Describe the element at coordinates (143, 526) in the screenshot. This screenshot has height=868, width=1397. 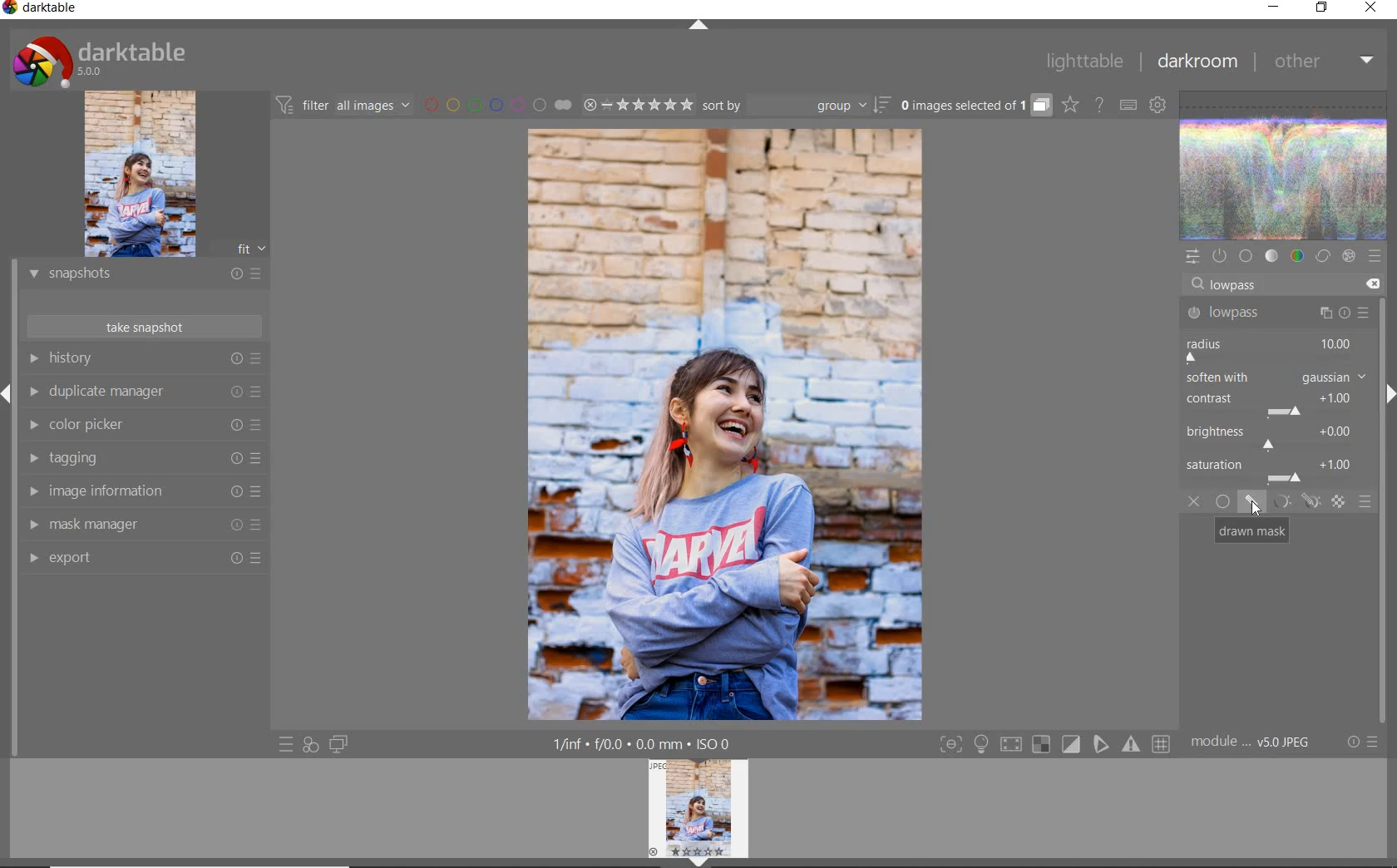
I see `mask manager` at that location.